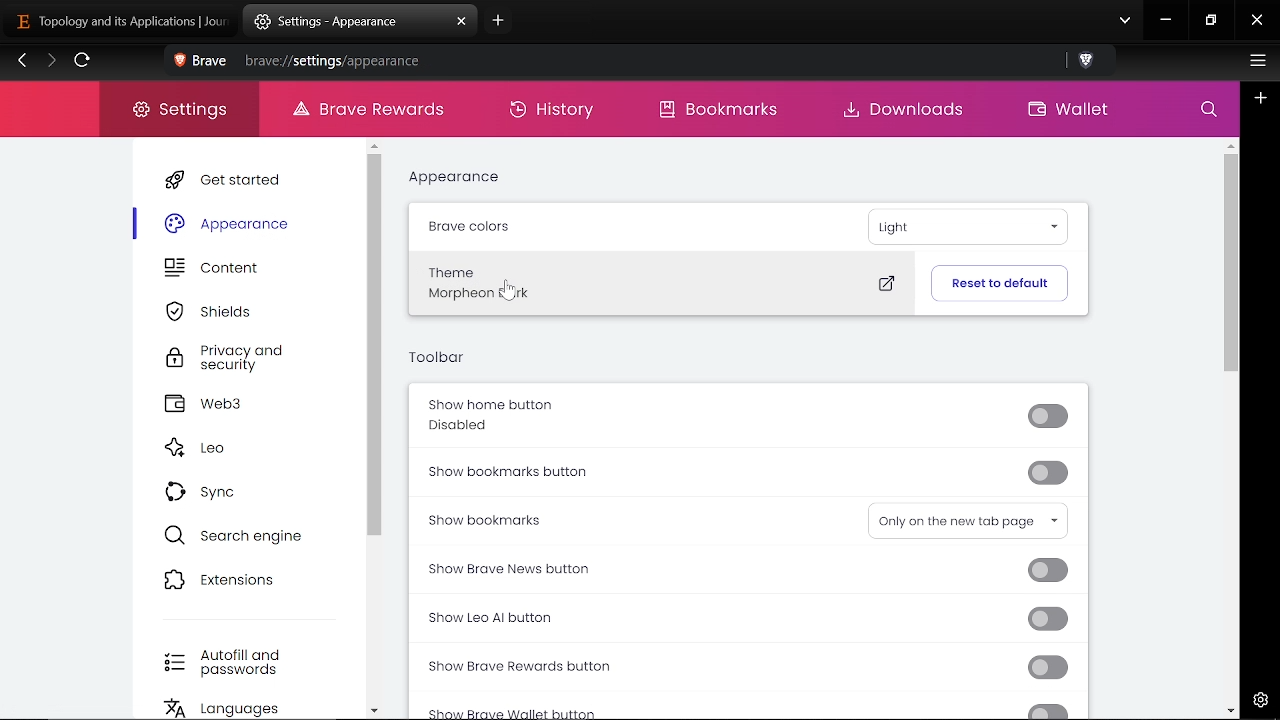 The height and width of the screenshot is (720, 1280). Describe the element at coordinates (744, 413) in the screenshot. I see `Show hoe button` at that location.